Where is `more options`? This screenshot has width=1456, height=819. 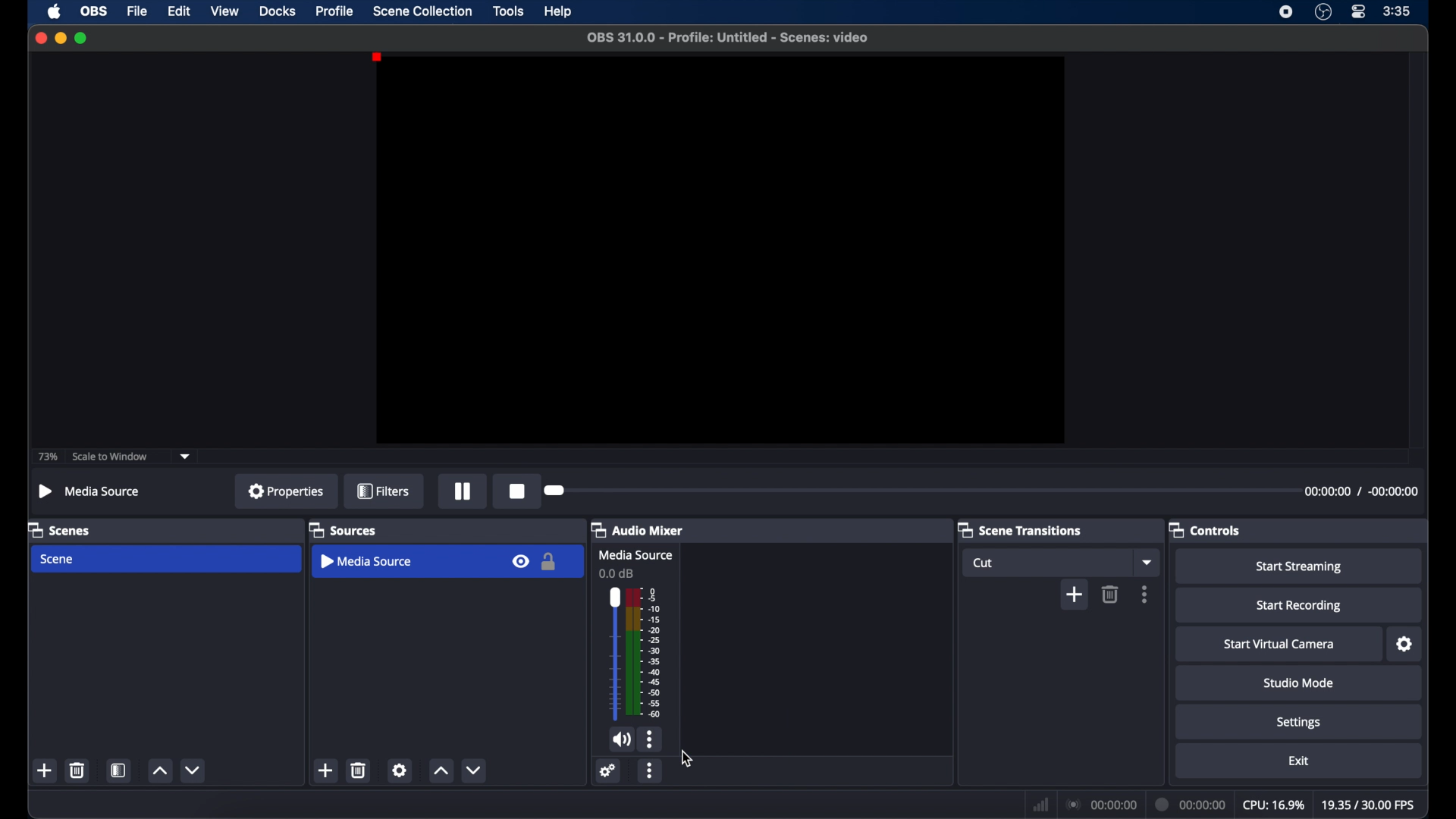
more options is located at coordinates (651, 770).